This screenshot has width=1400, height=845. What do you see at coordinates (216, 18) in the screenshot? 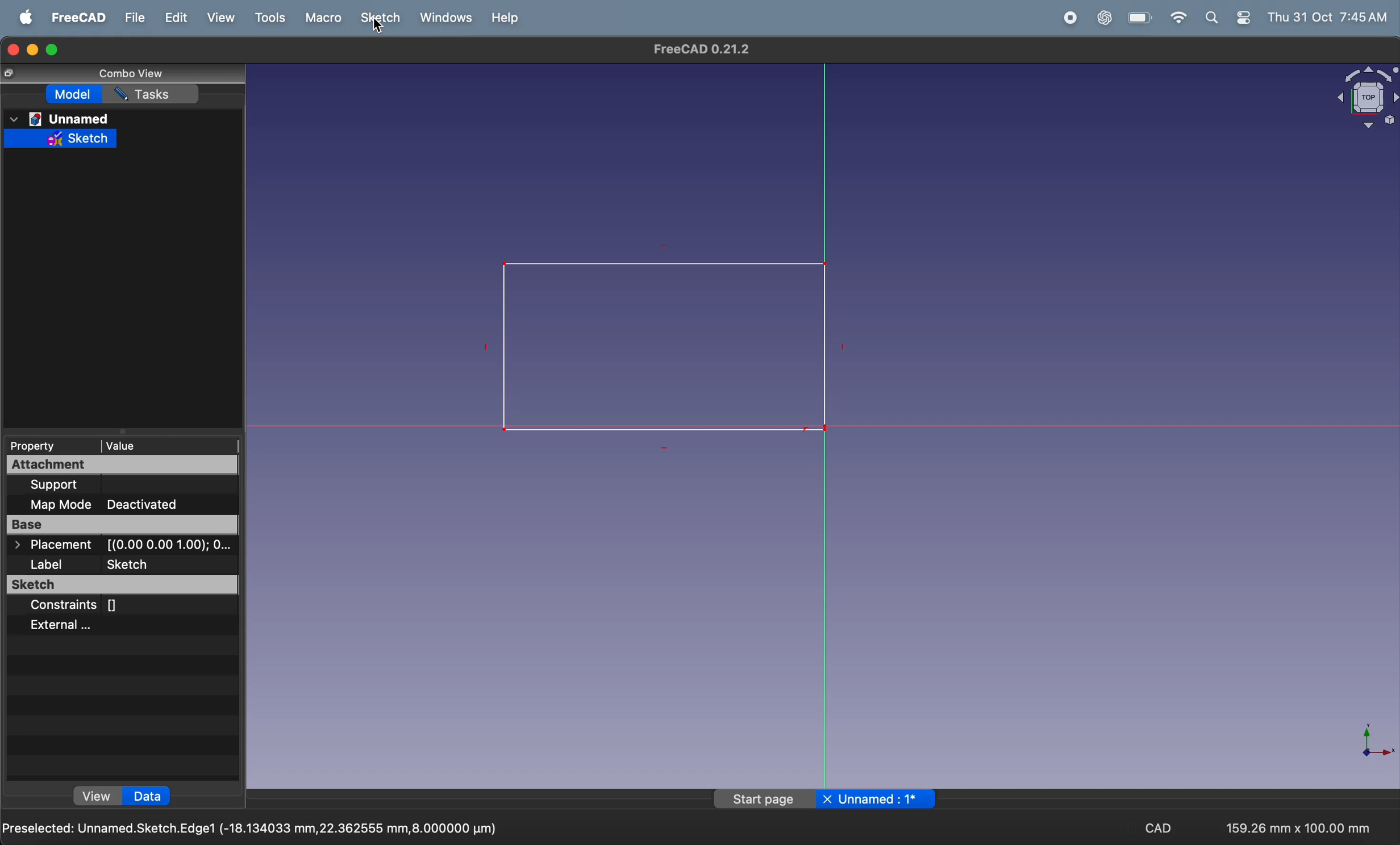
I see `view` at bounding box center [216, 18].